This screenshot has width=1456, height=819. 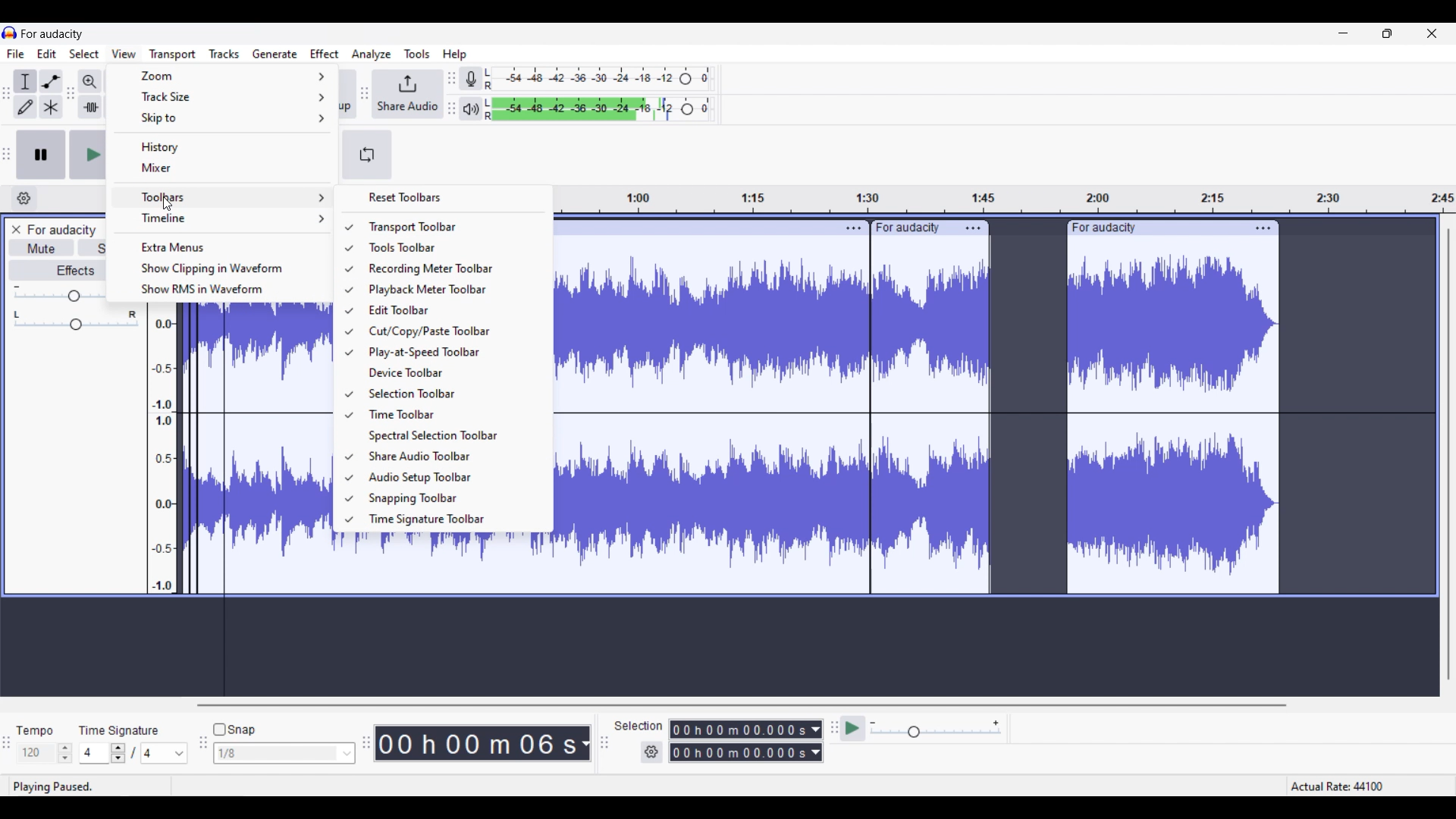 I want to click on Multi tool, so click(x=51, y=106).